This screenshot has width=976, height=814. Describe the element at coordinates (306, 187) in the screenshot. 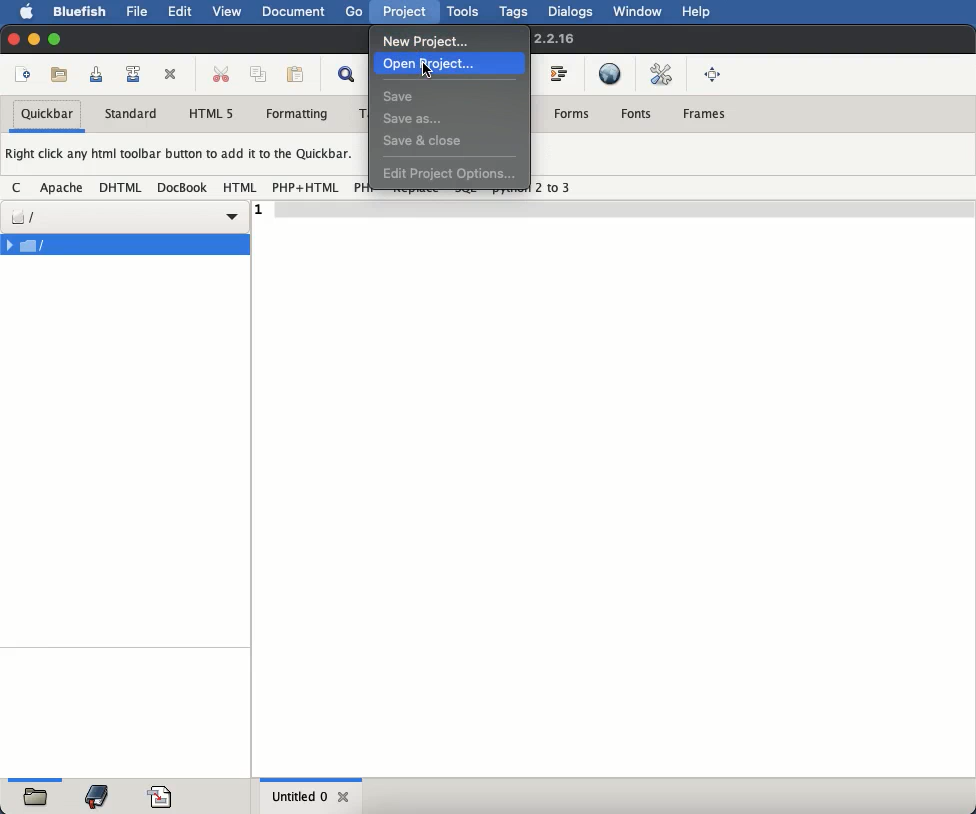

I see `php + html` at that location.